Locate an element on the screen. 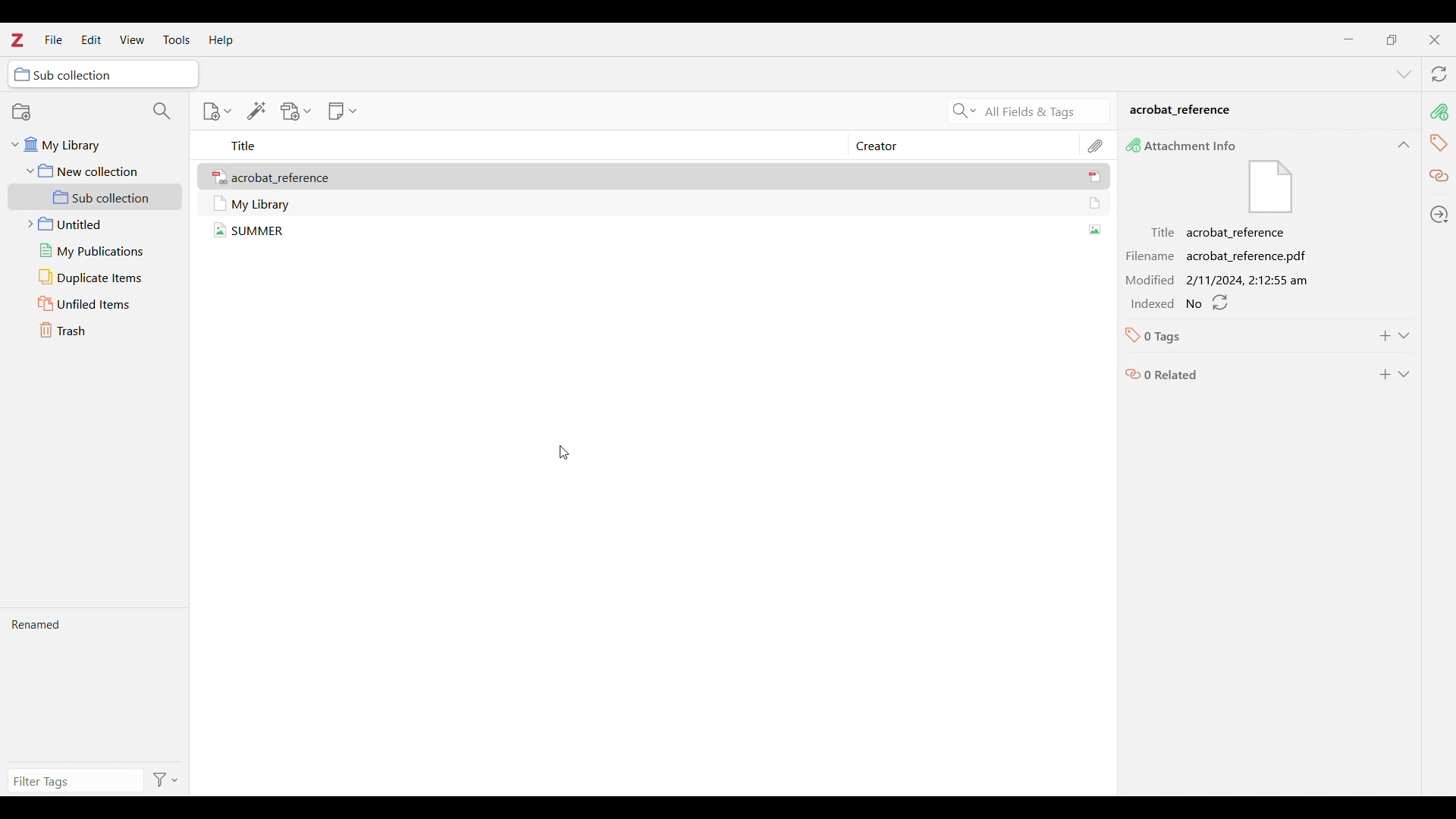  file icon is located at coordinates (1269, 188).